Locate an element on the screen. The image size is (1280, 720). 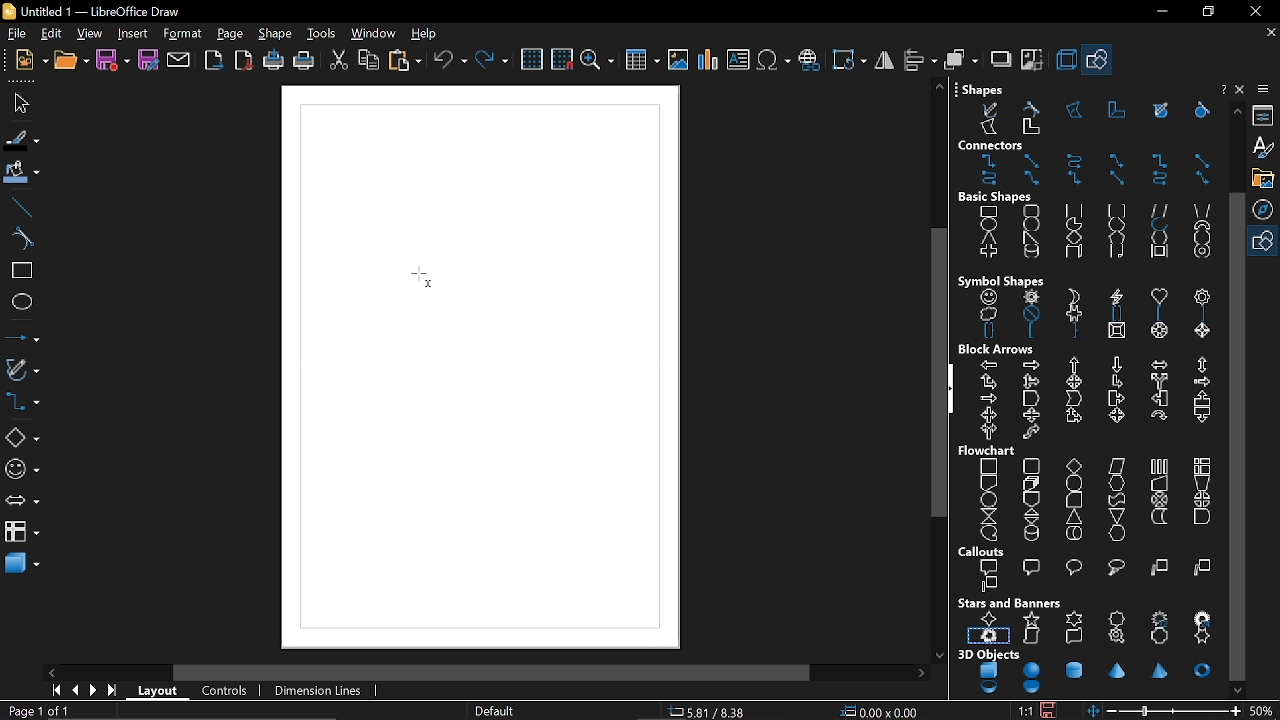
Close is located at coordinates (1221, 89).